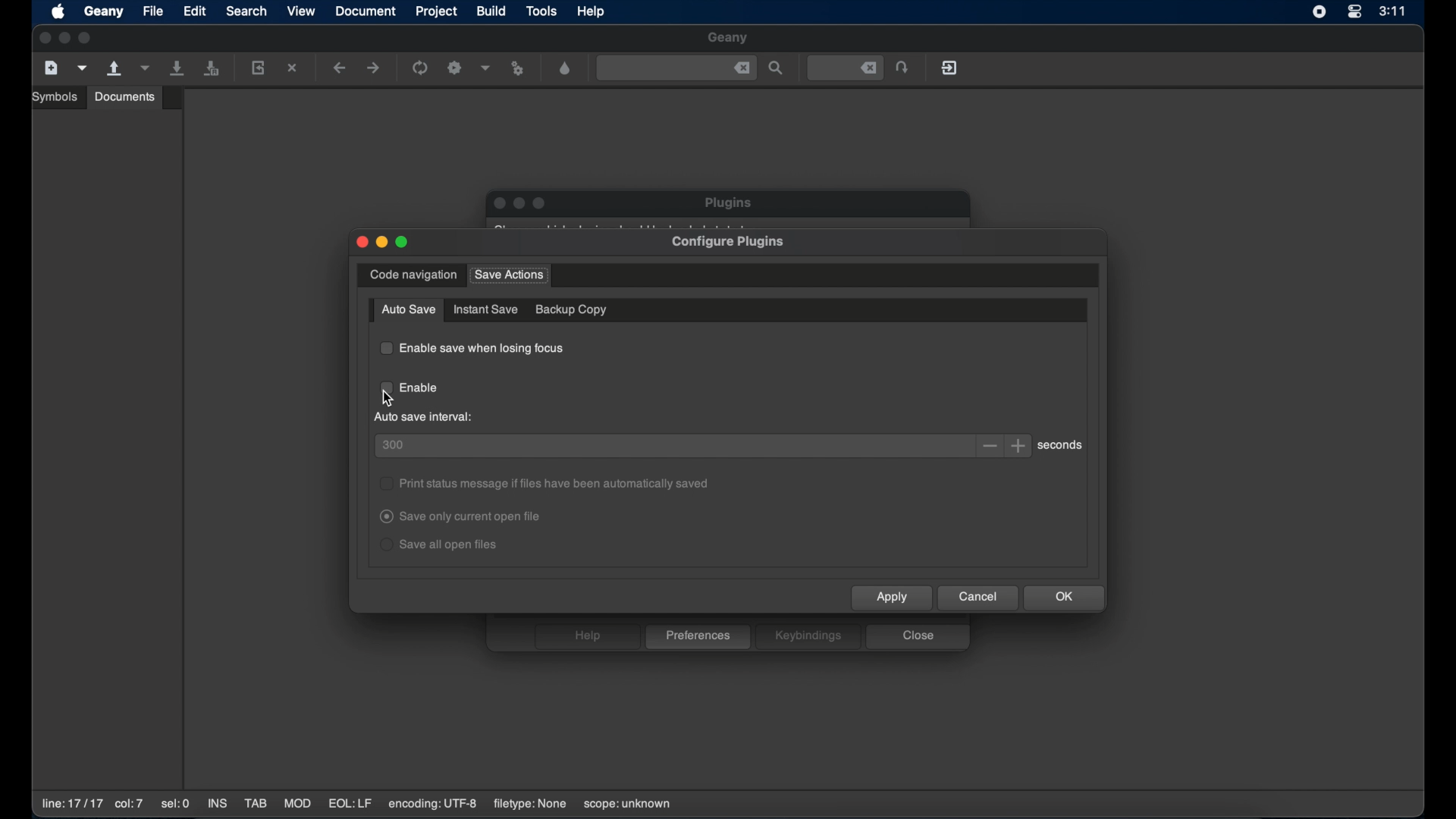 Image resolution: width=1456 pixels, height=819 pixels. Describe the element at coordinates (918, 637) in the screenshot. I see `close` at that location.